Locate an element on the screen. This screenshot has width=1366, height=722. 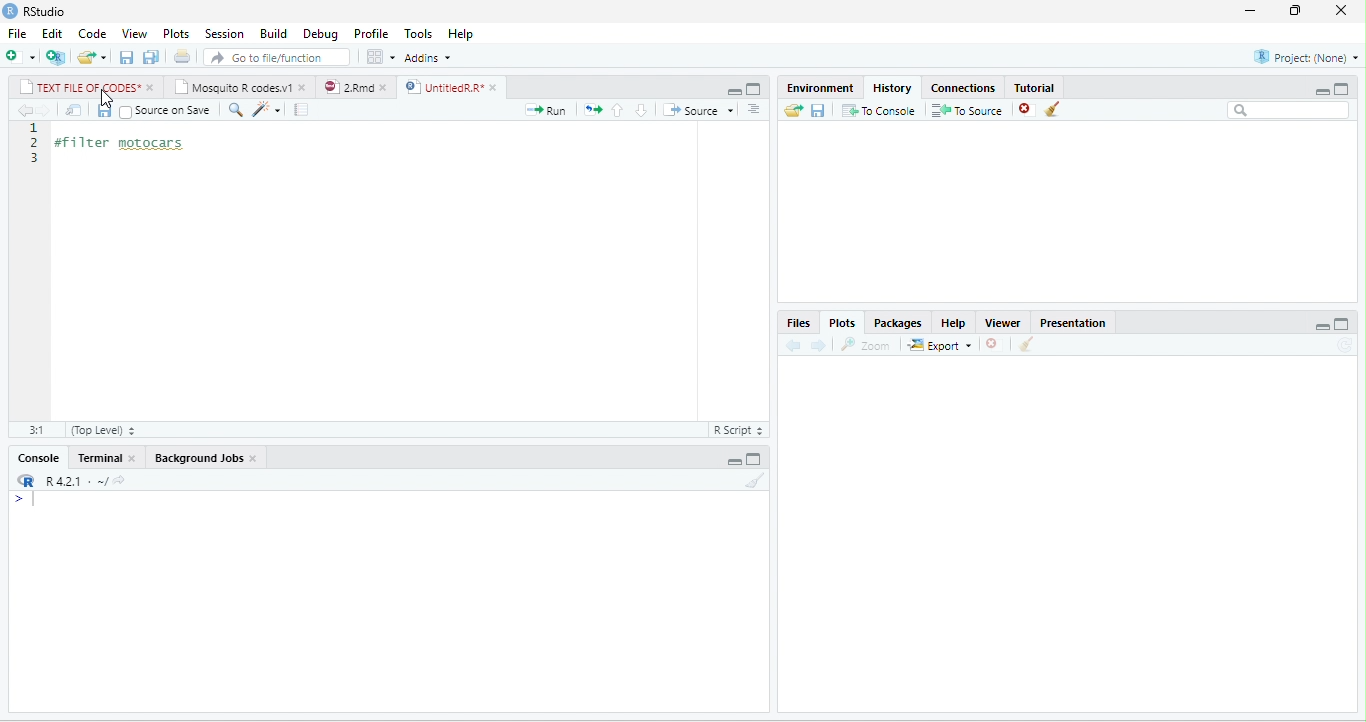
RStudio is located at coordinates (44, 11).